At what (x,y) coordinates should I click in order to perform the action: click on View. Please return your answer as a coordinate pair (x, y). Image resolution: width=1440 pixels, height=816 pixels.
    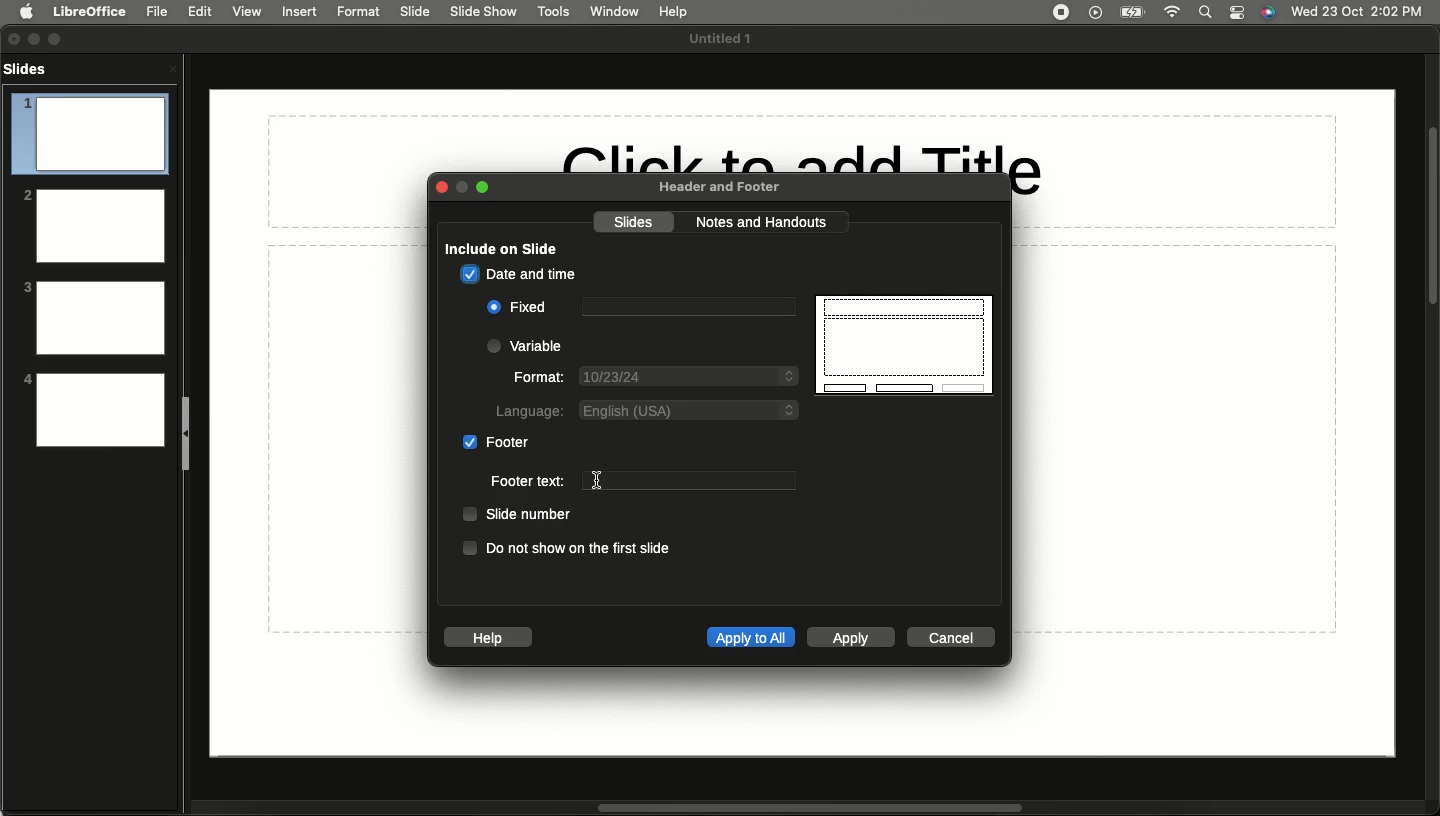
    Looking at the image, I should click on (246, 11).